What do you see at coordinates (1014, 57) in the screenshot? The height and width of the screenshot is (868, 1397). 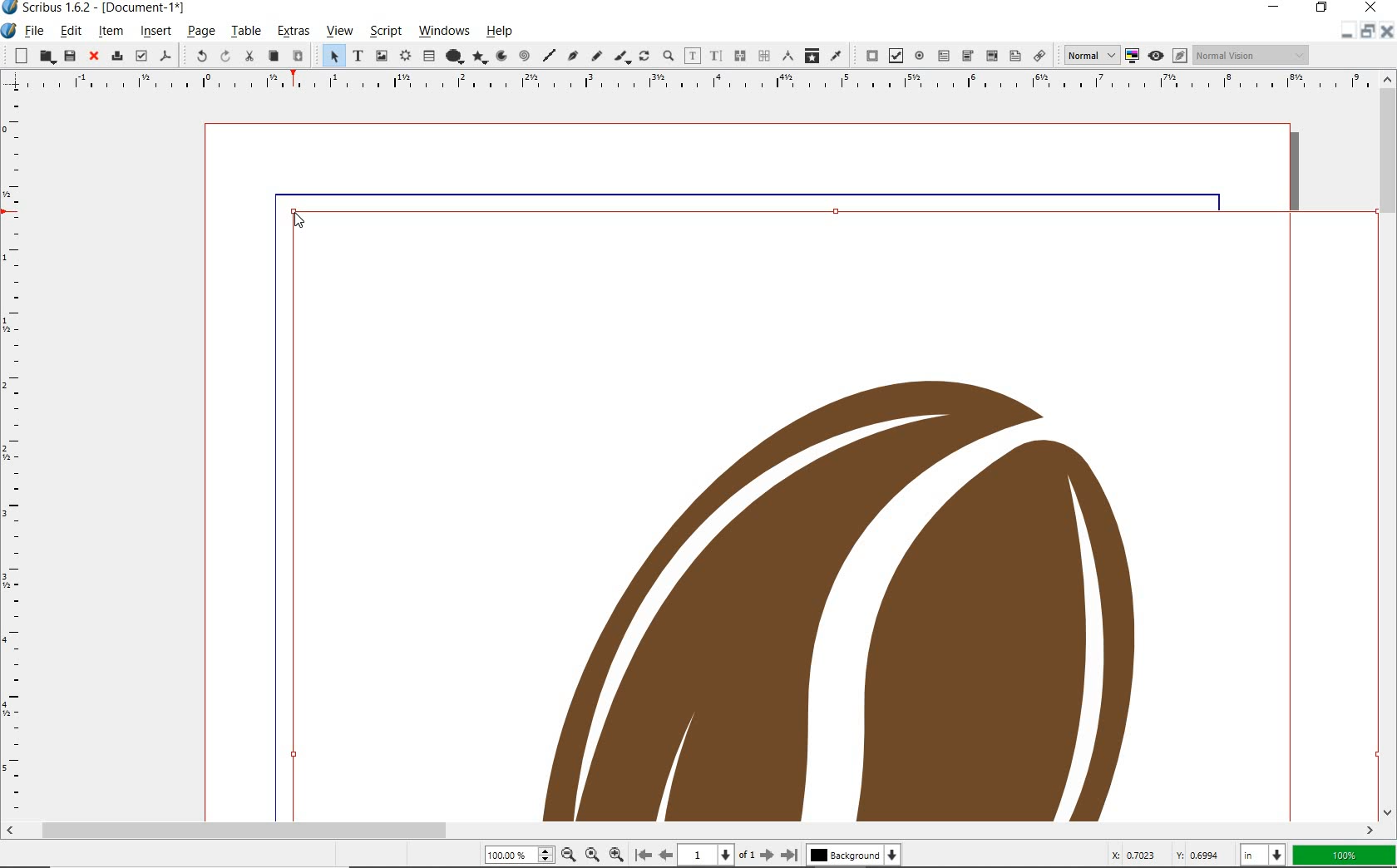 I see `pdf list box` at bounding box center [1014, 57].